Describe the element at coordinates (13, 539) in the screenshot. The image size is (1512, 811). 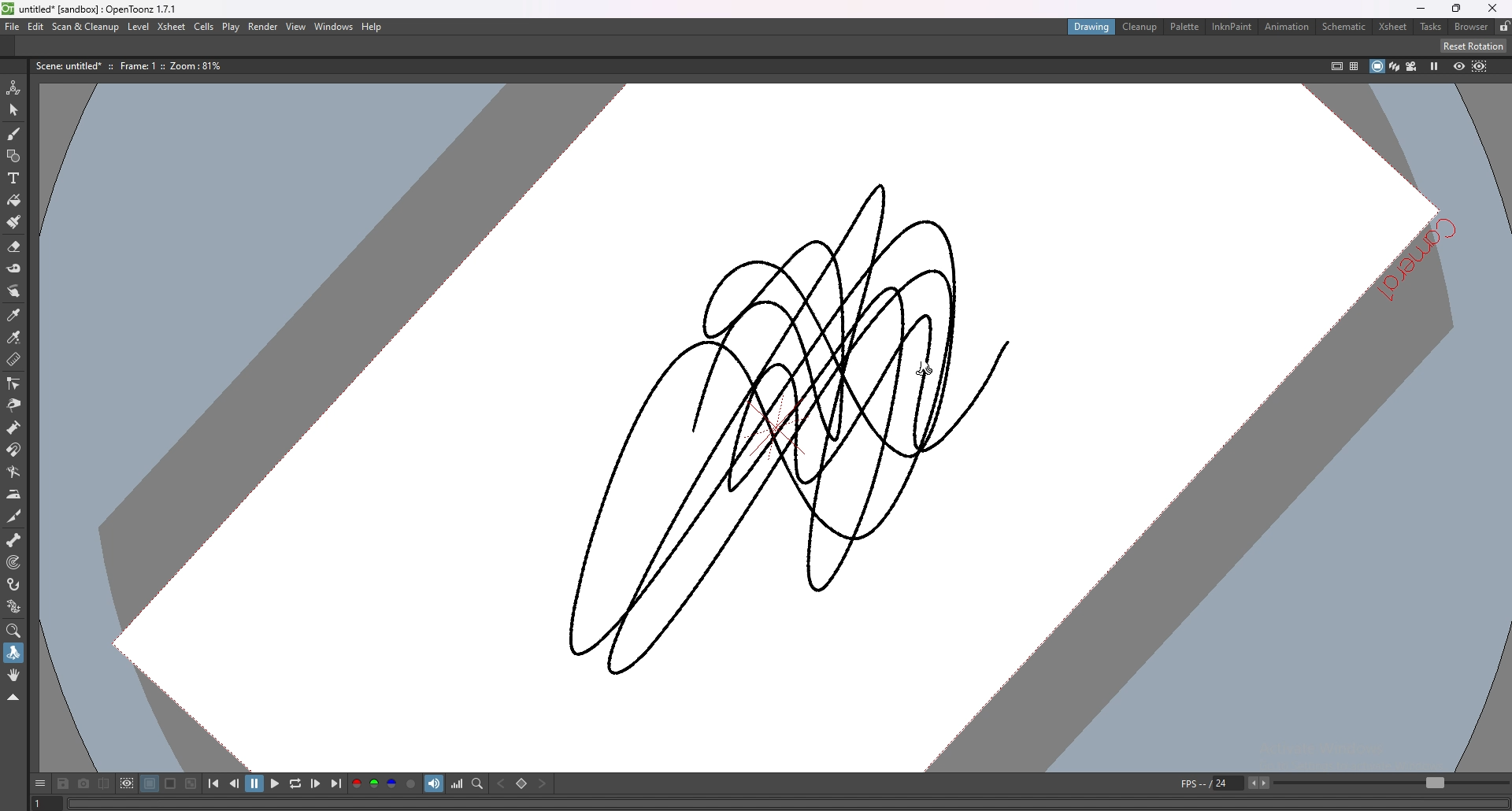
I see `skeleton` at that location.